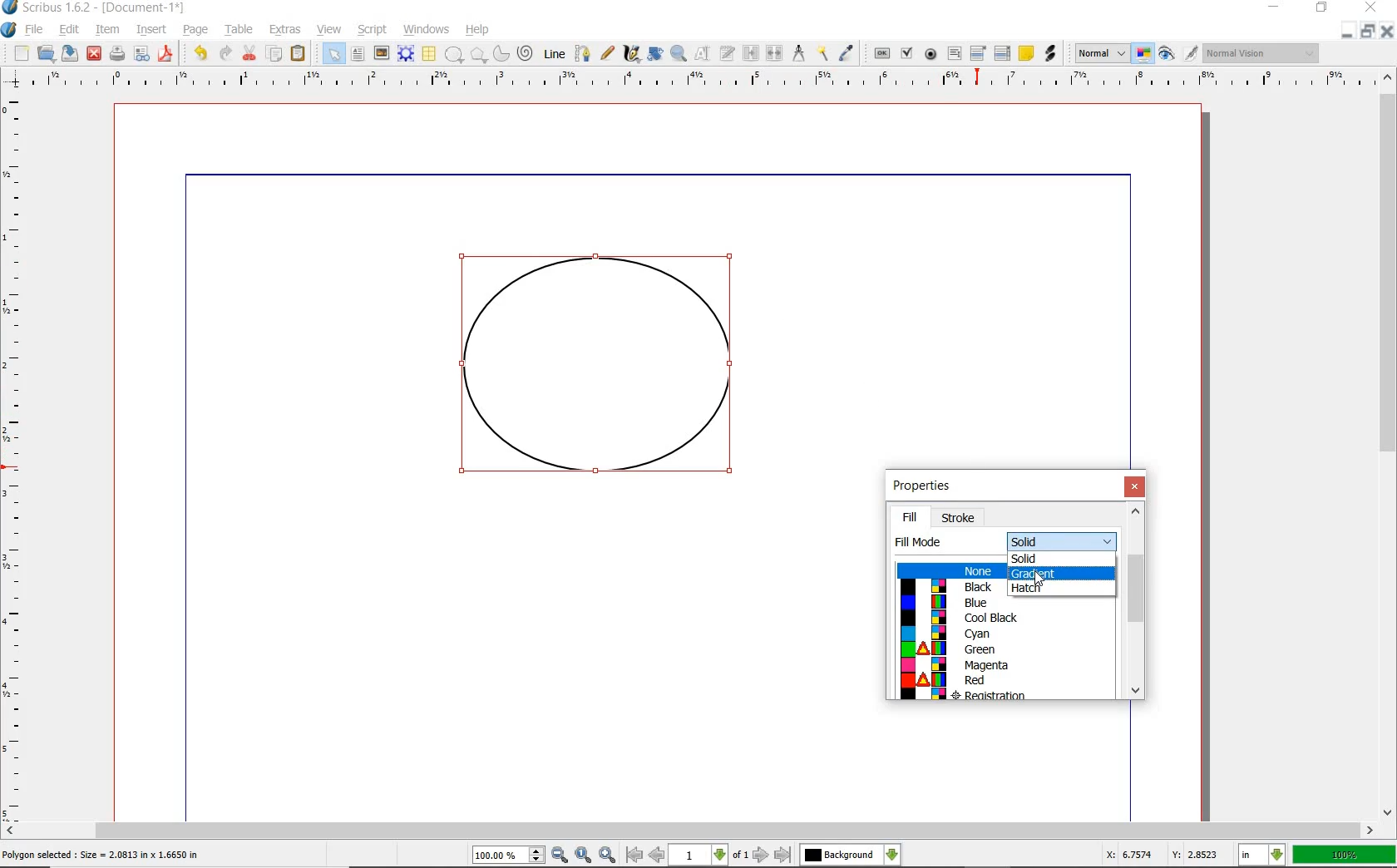 The width and height of the screenshot is (1397, 868). Describe the element at coordinates (524, 54) in the screenshot. I see `SPIRAL` at that location.